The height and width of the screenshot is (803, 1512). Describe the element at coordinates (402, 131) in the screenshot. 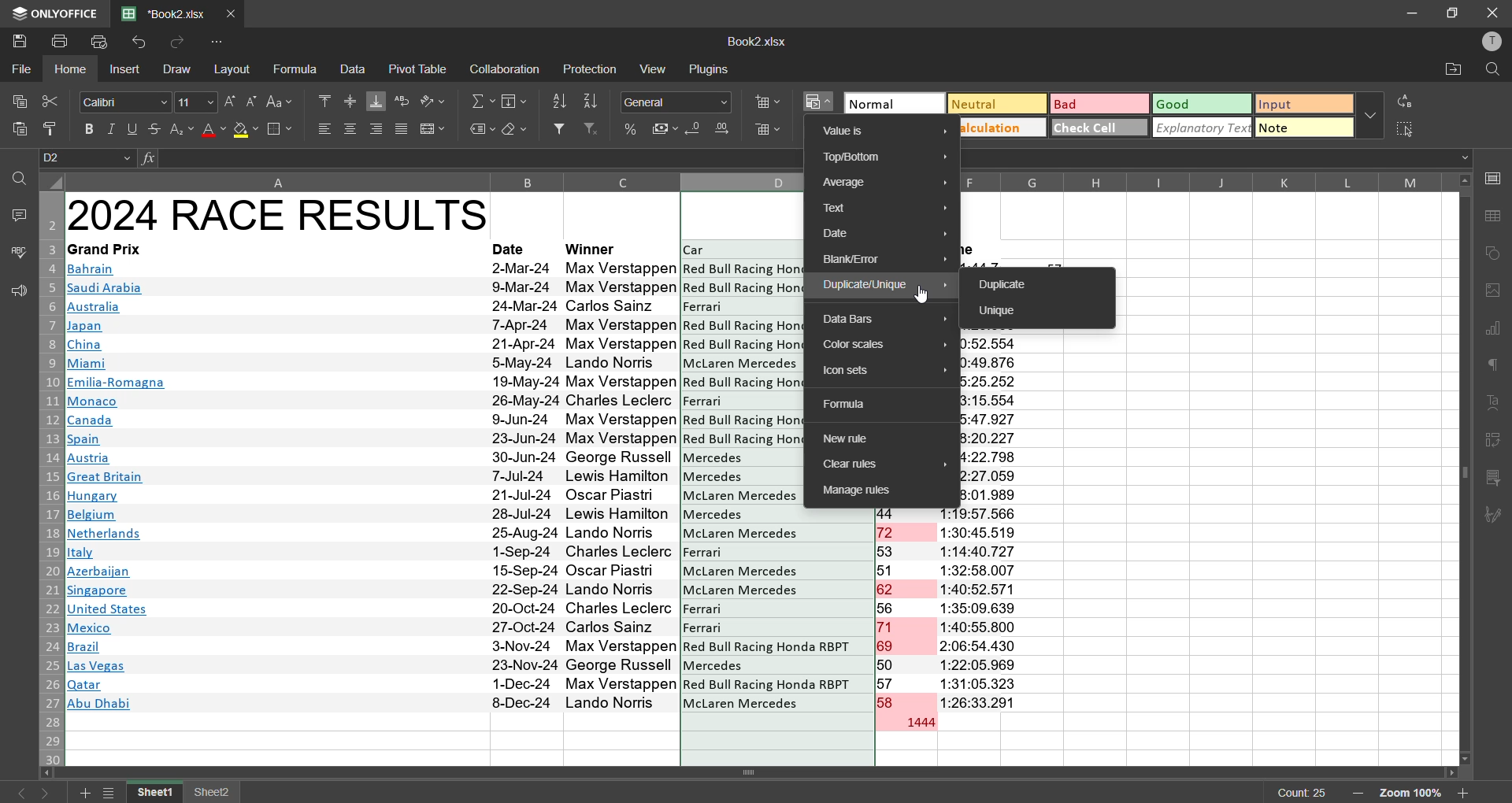

I see `justified` at that location.